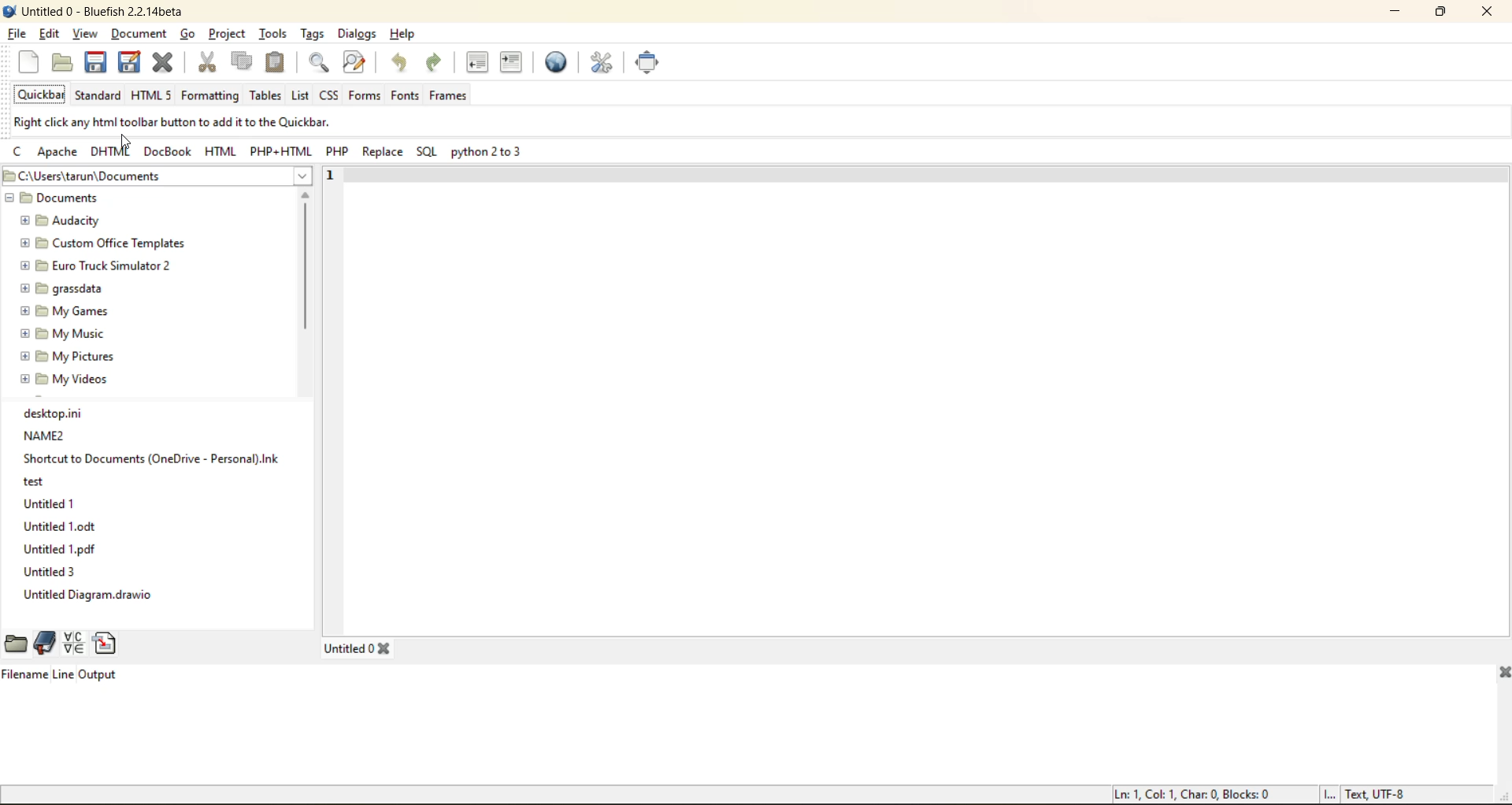 The image size is (1512, 805). I want to click on css, so click(330, 95).